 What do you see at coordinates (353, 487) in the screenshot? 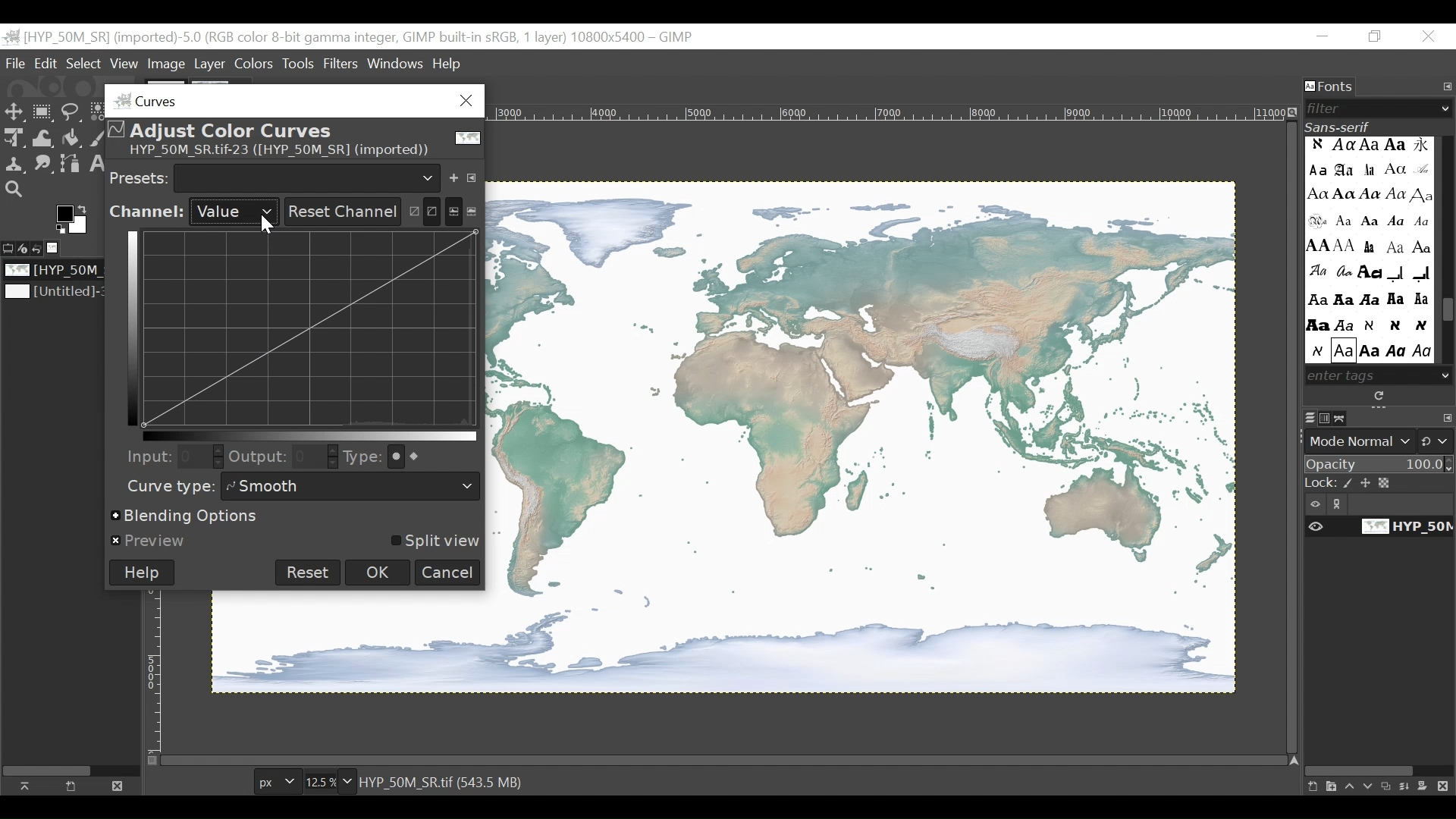
I see `Smooth` at bounding box center [353, 487].